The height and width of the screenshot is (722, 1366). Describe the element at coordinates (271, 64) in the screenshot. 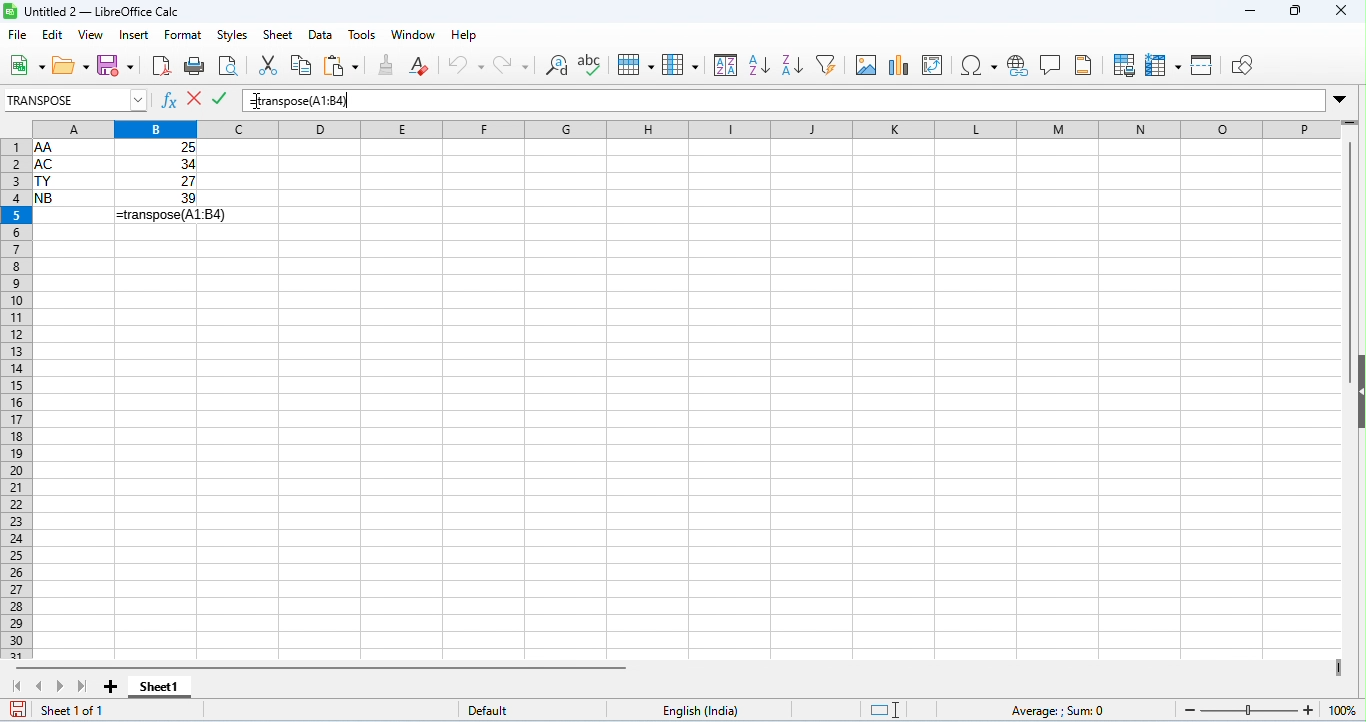

I see `cut` at that location.